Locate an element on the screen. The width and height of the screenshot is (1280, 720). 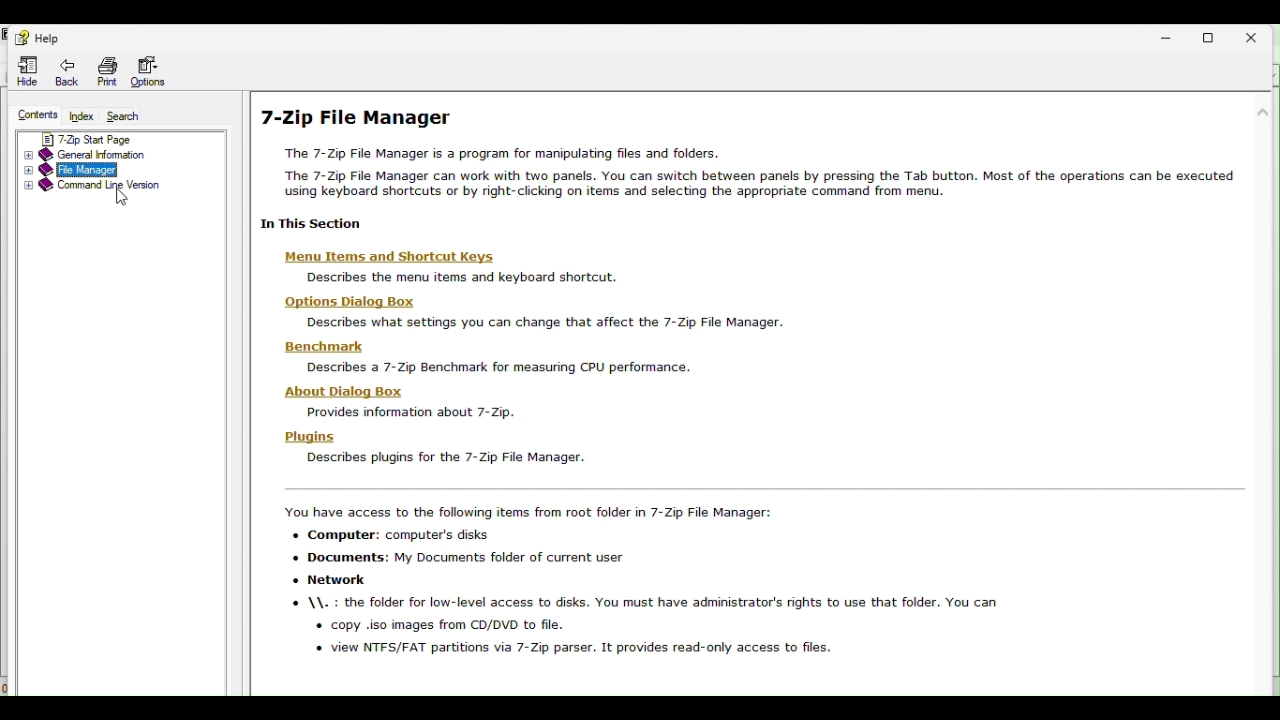
Command line version is located at coordinates (109, 188).